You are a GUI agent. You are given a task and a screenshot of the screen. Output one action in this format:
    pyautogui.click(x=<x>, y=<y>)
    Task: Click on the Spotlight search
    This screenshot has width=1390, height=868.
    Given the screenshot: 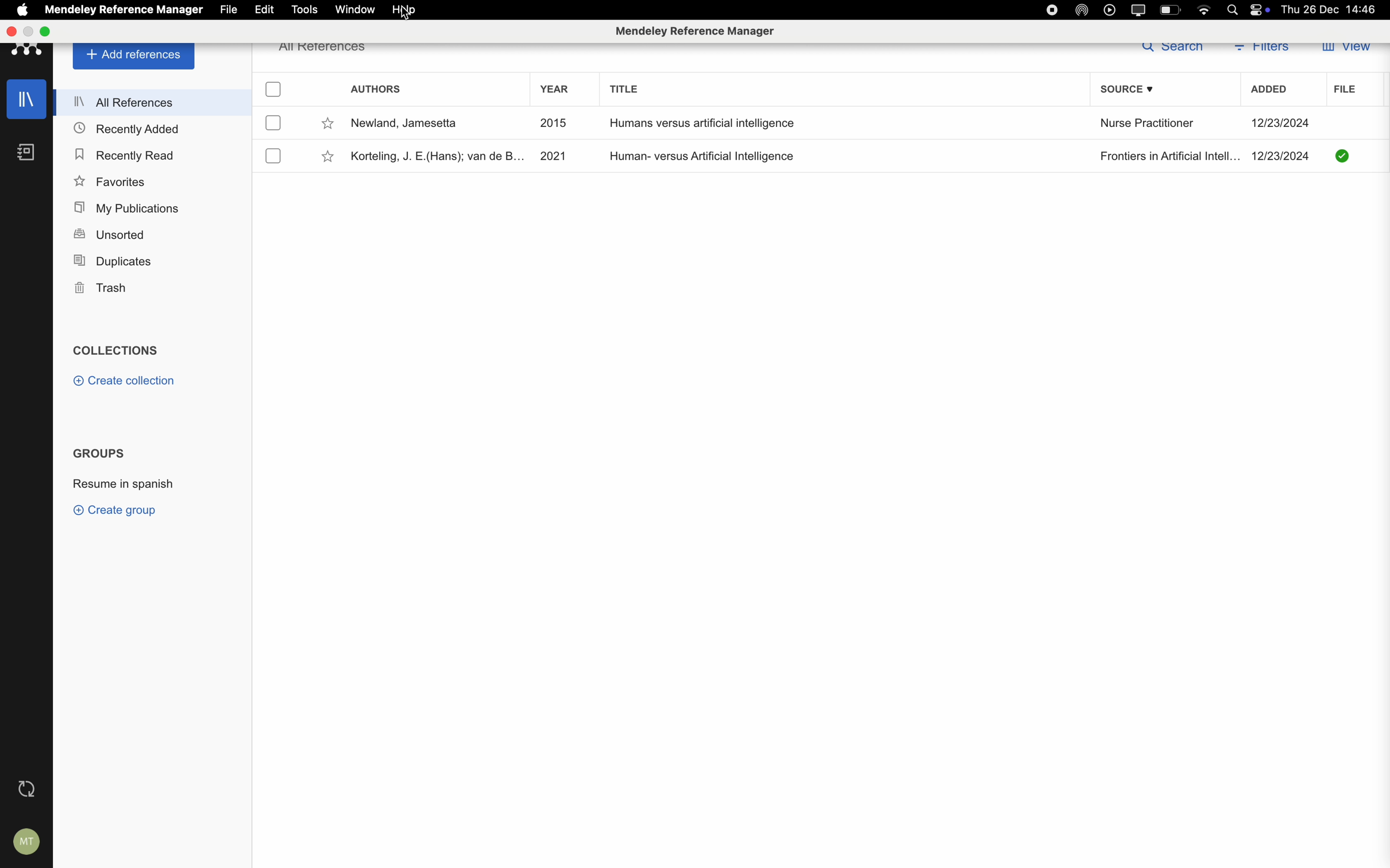 What is the action you would take?
    pyautogui.click(x=1231, y=9)
    